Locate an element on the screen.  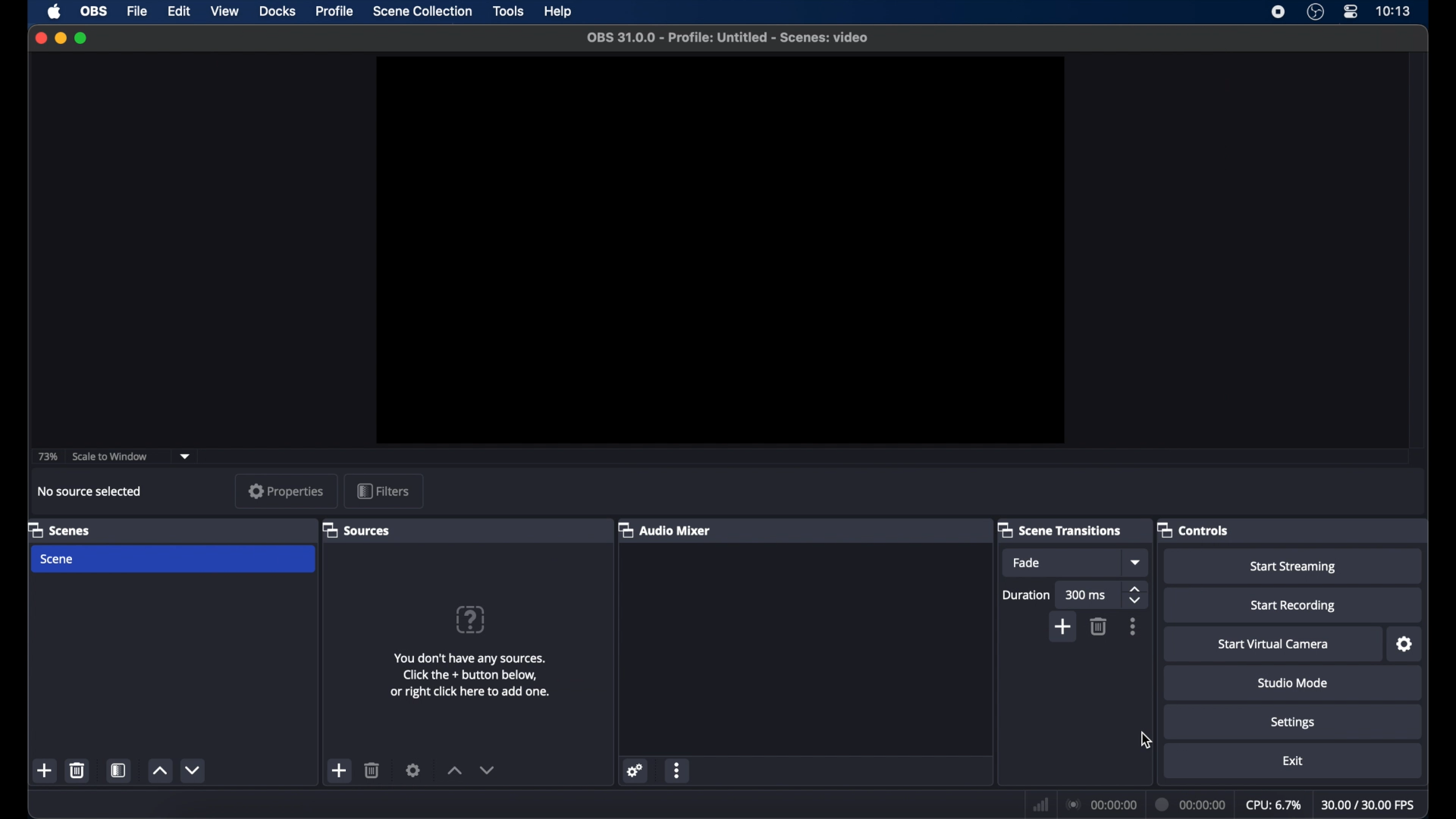
more options is located at coordinates (677, 770).